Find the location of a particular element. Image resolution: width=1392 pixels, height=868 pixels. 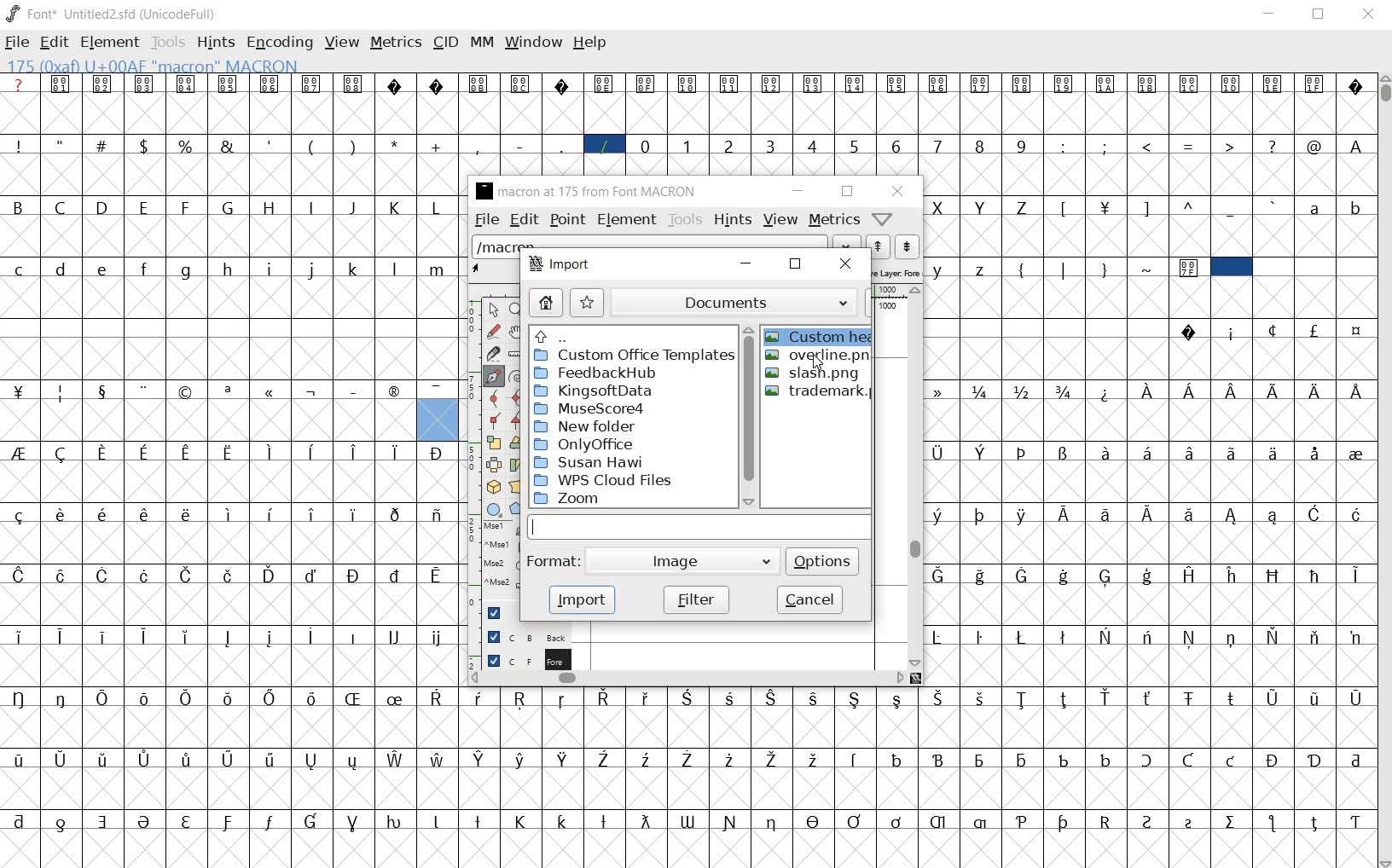

Symbol is located at coordinates (1232, 85).